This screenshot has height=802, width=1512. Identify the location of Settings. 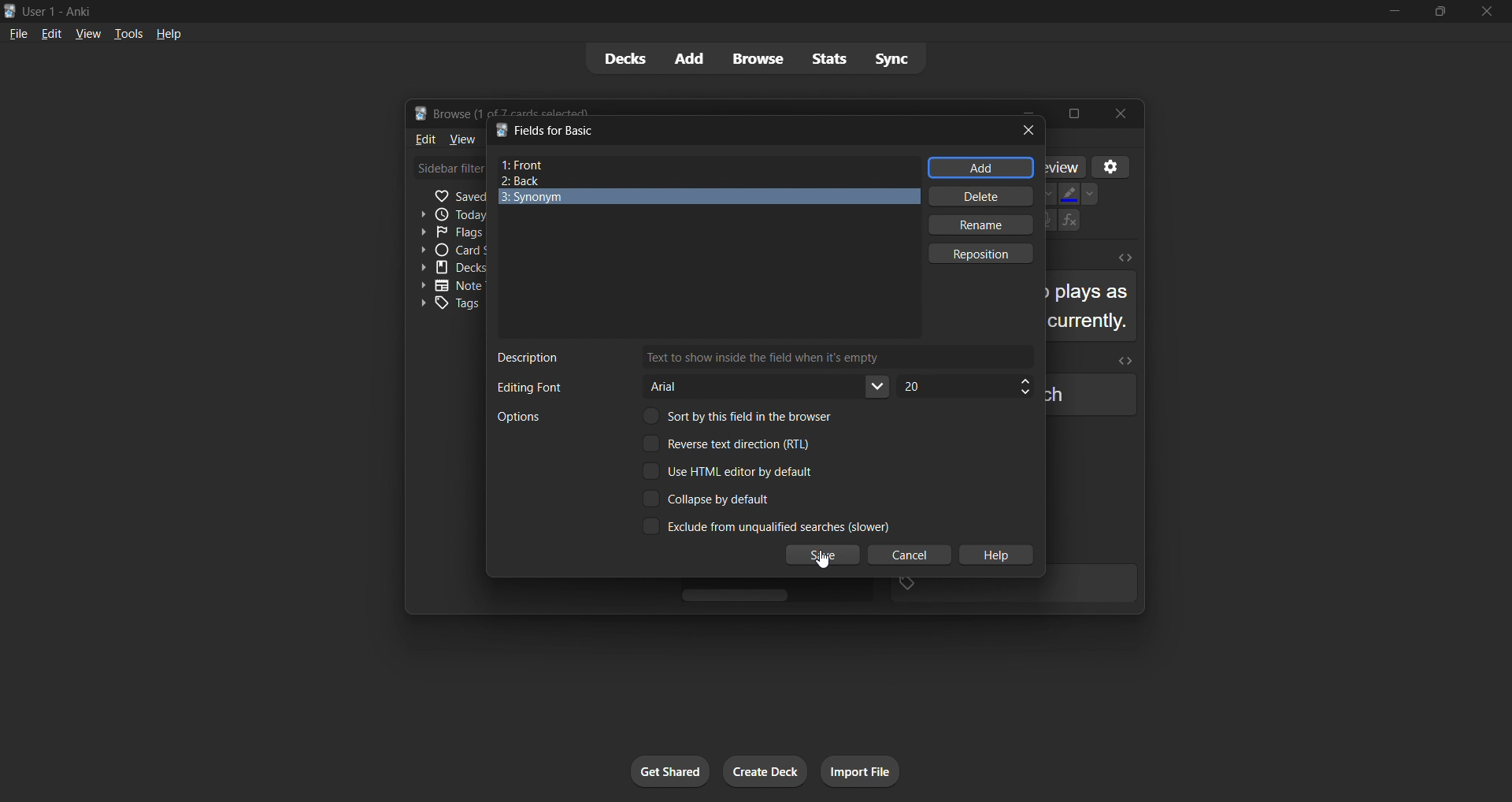
(1114, 164).